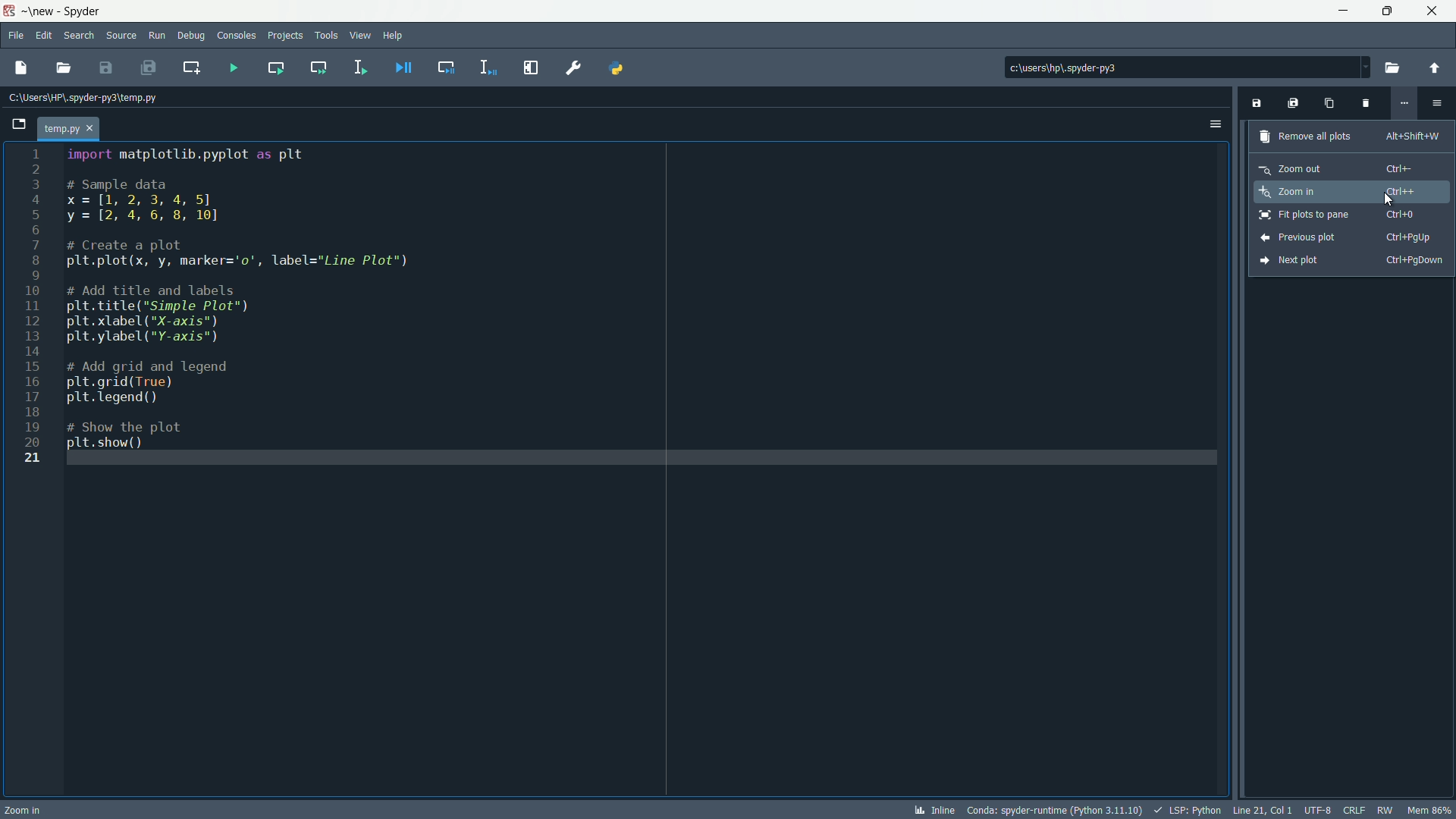 The width and height of the screenshot is (1456, 819). What do you see at coordinates (487, 67) in the screenshot?
I see `debug selection or current line` at bounding box center [487, 67].